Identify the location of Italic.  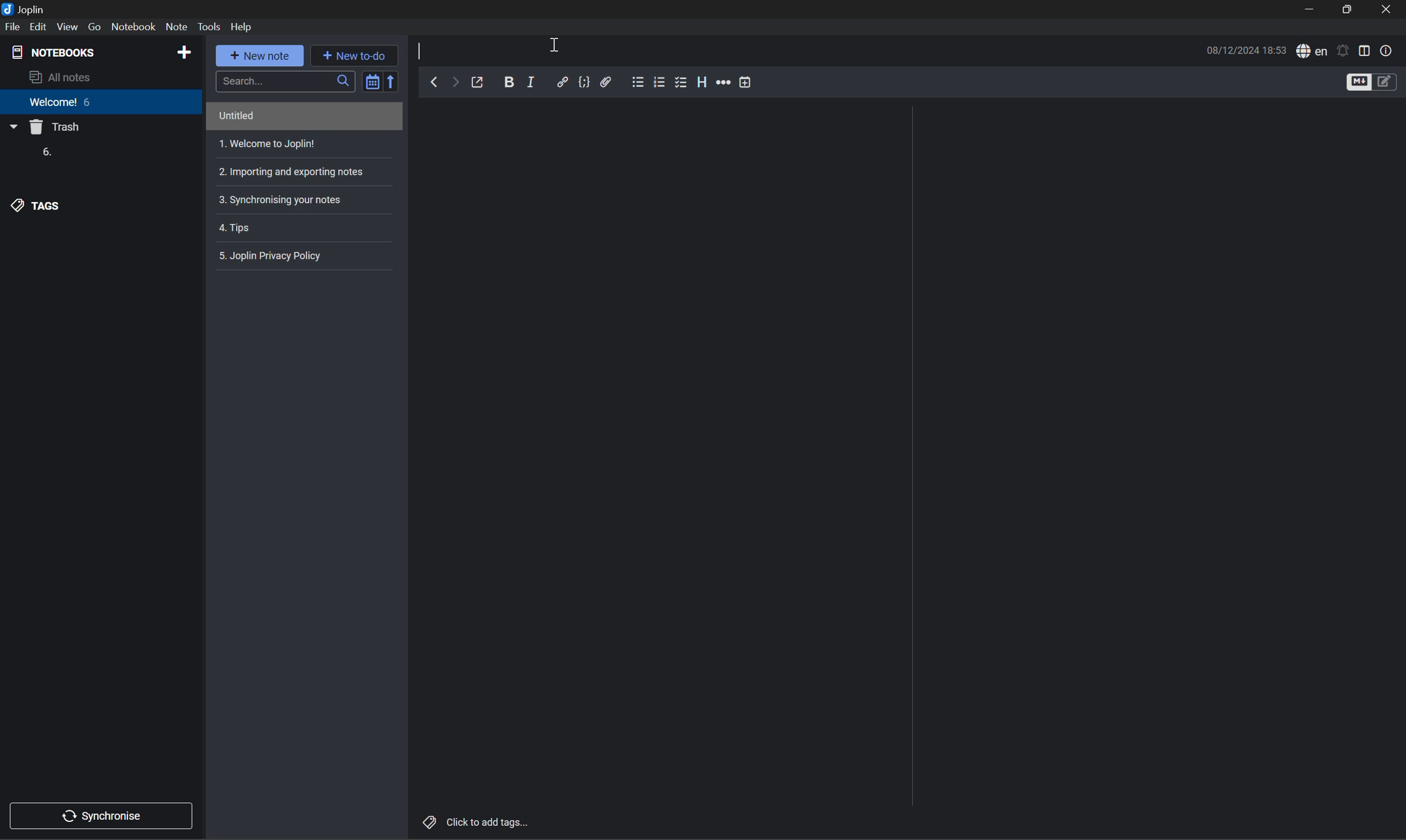
(533, 82).